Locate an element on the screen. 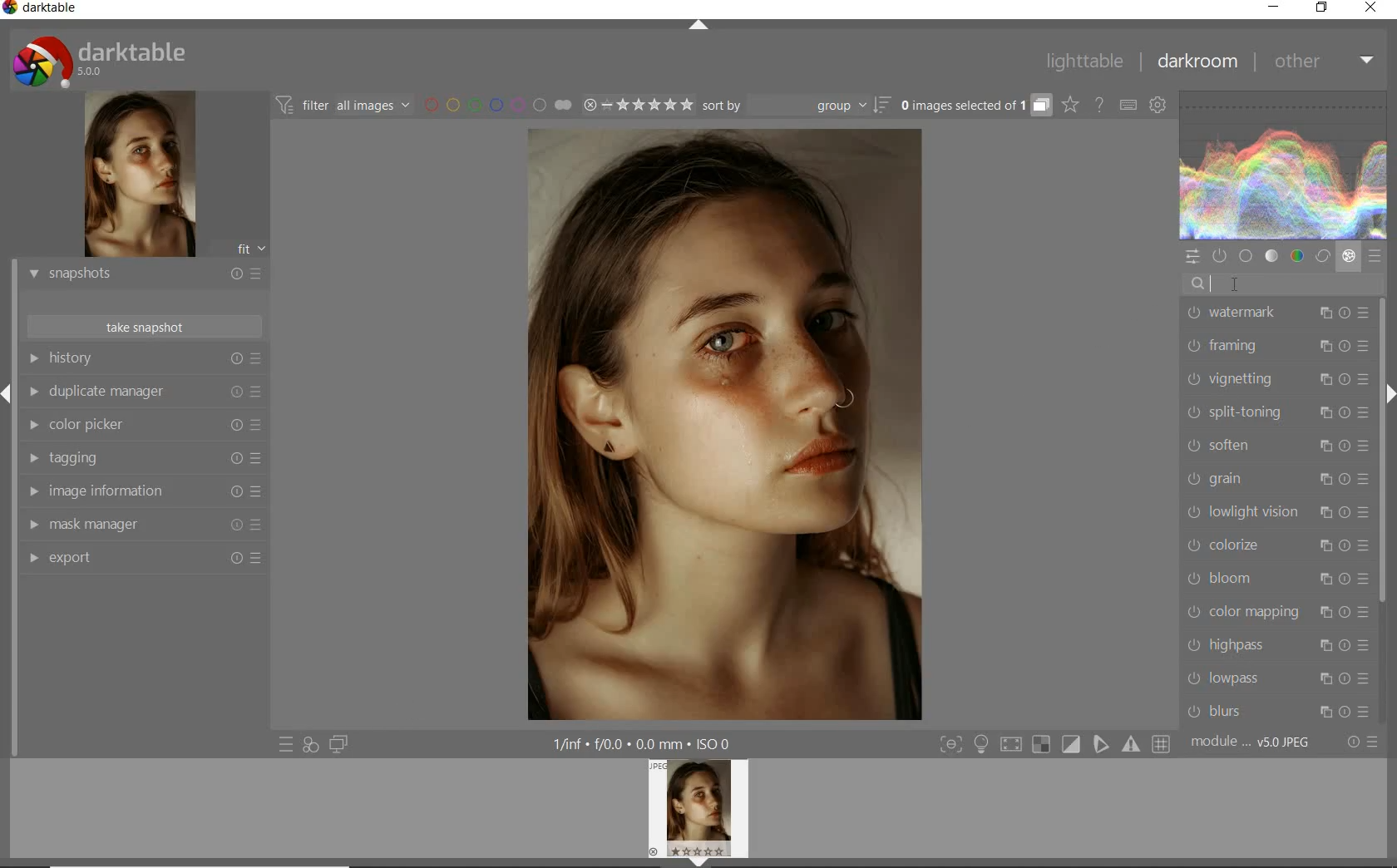 The width and height of the screenshot is (1397, 868). waveform is located at coordinates (1284, 165).